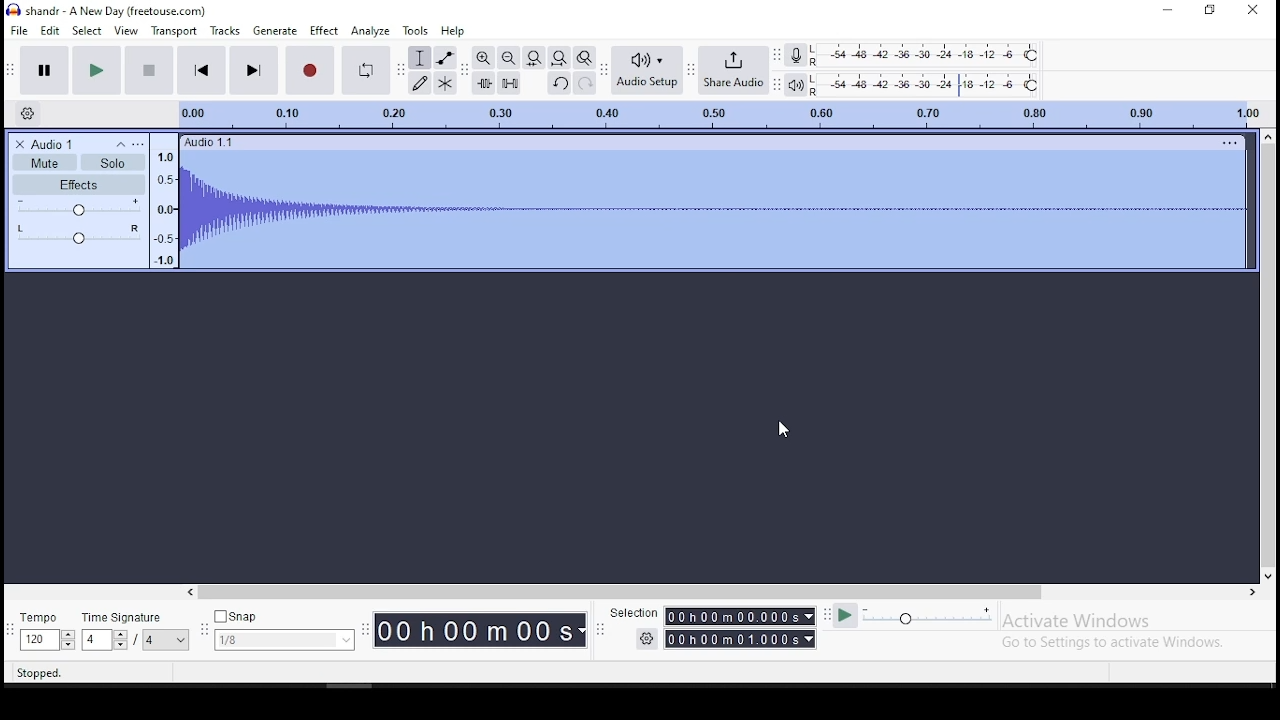  I want to click on analyze, so click(369, 30).